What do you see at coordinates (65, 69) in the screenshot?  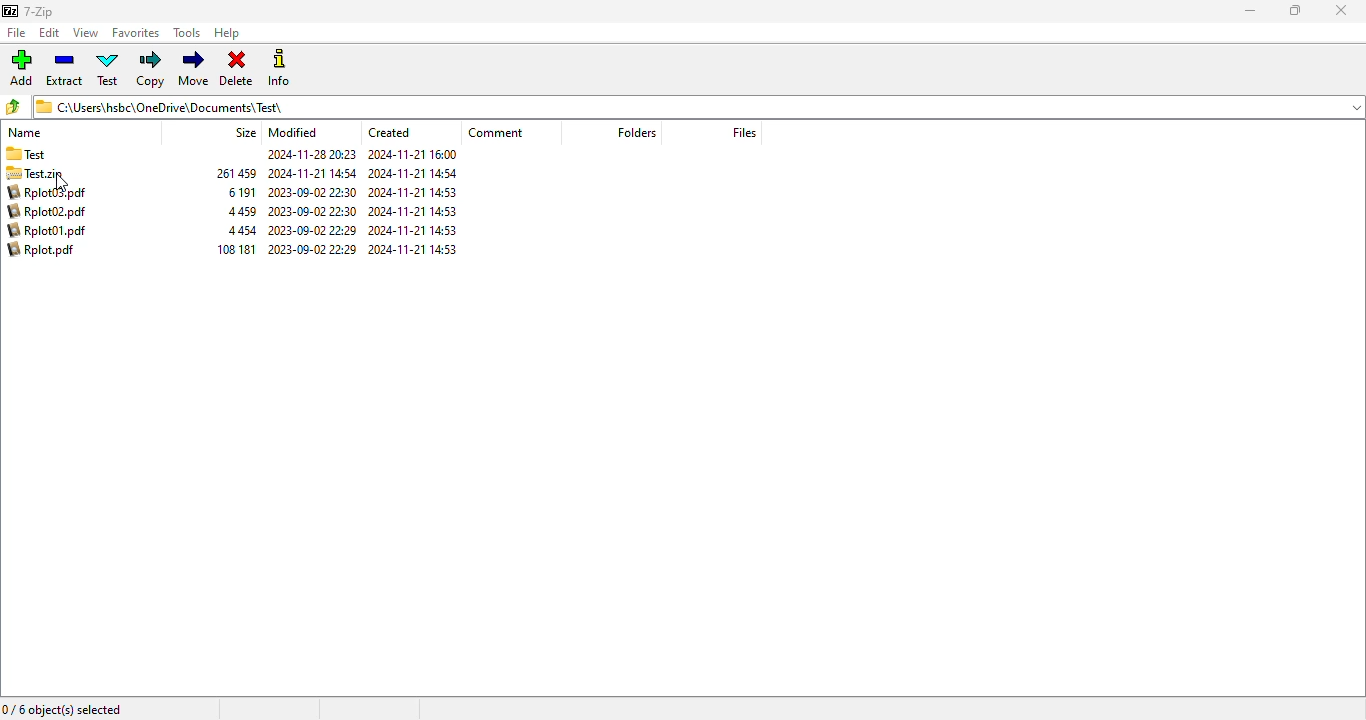 I see `extract` at bounding box center [65, 69].